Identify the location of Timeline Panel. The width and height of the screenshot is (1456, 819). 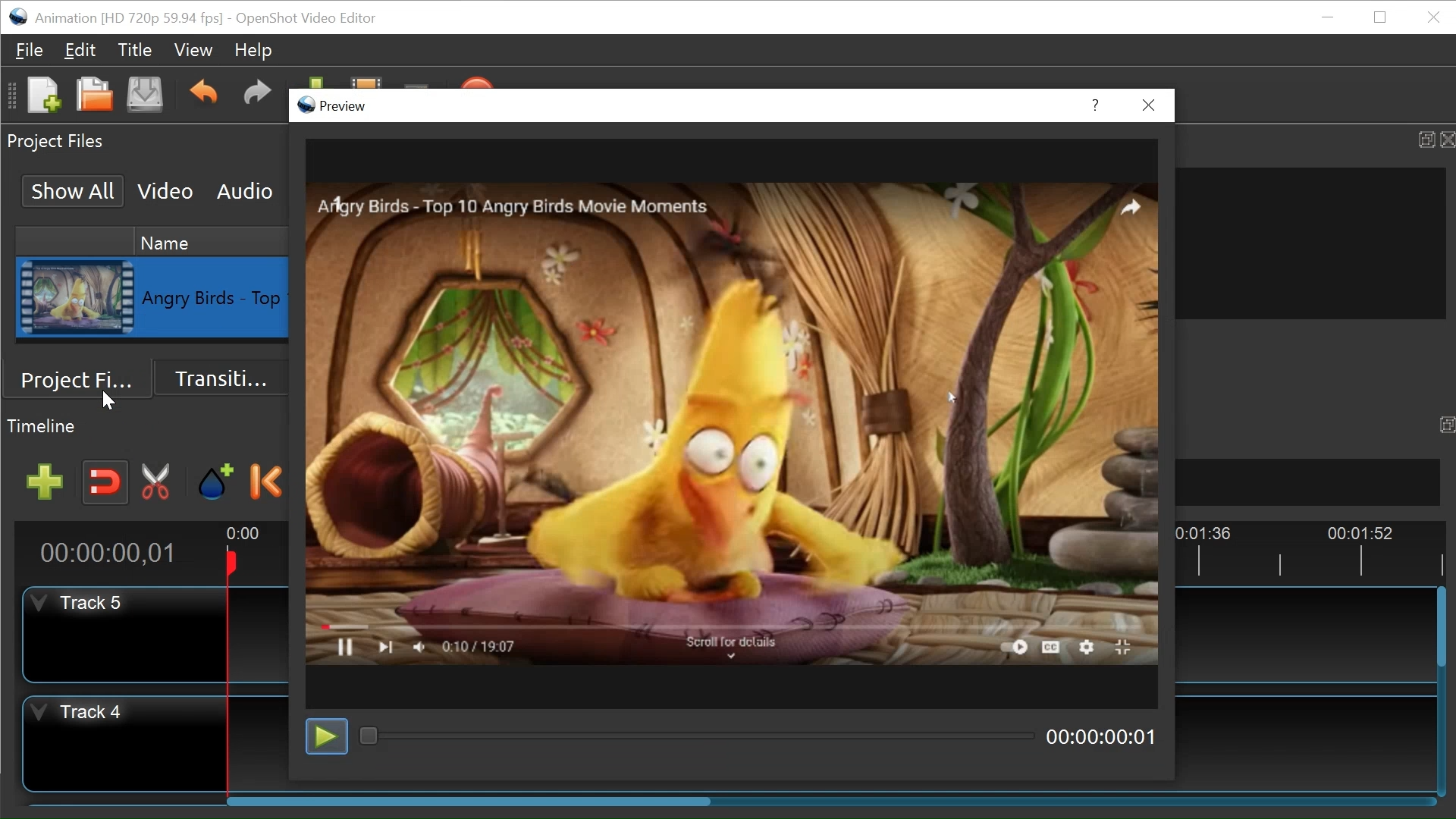
(147, 425).